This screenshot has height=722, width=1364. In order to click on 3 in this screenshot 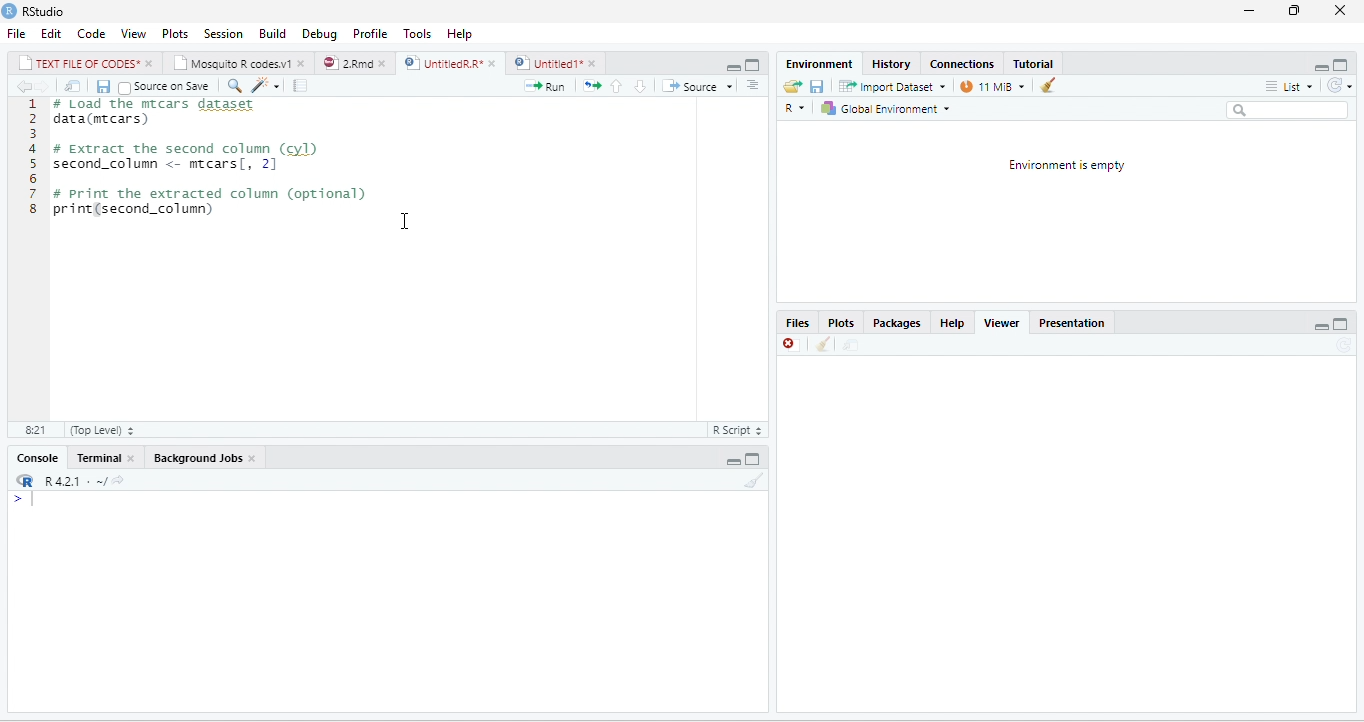, I will do `click(33, 134)`.